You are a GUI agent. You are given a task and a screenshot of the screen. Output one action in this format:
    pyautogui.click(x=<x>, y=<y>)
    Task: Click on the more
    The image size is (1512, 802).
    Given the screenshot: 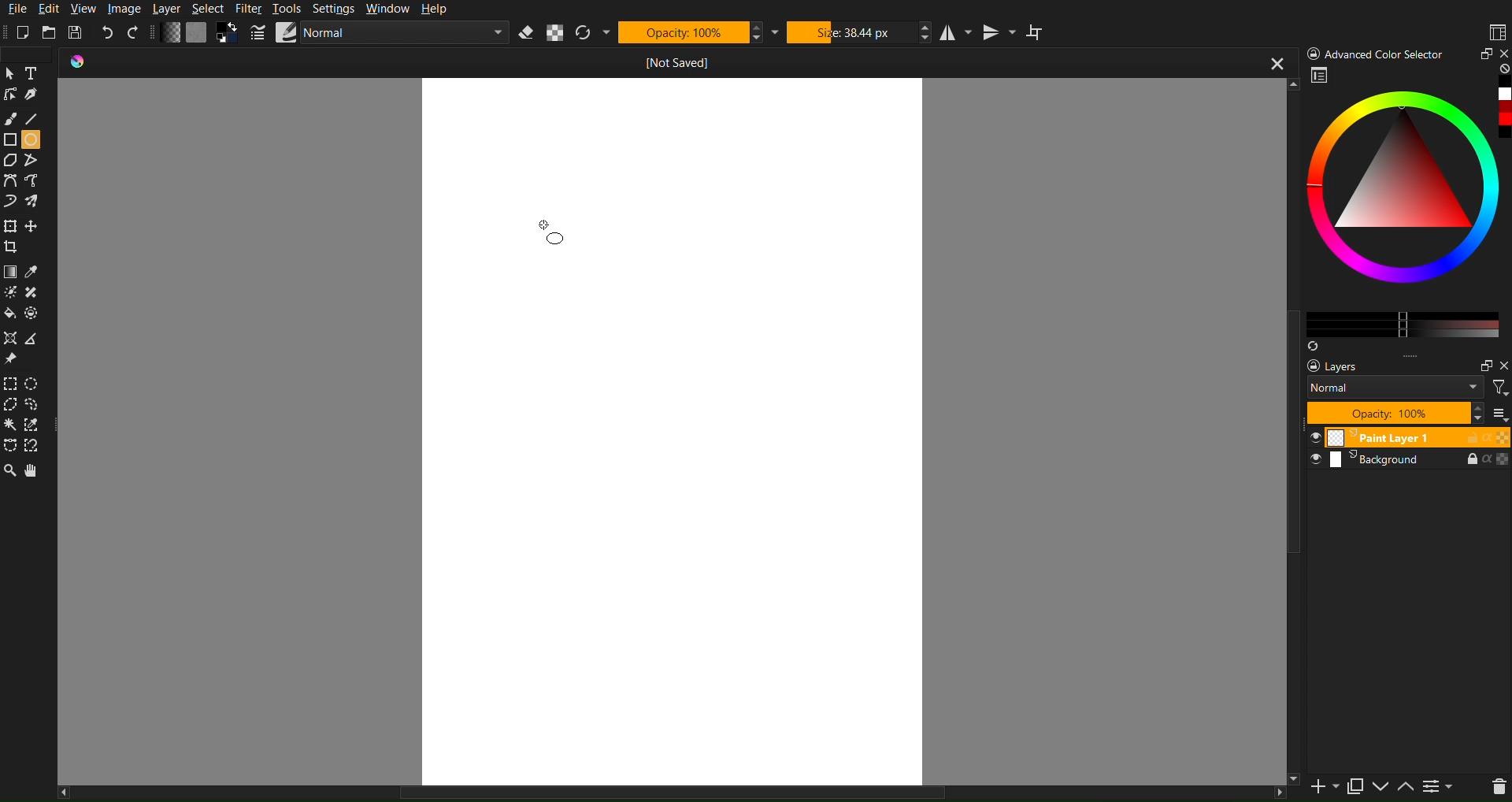 What is the action you would take?
    pyautogui.click(x=1412, y=355)
    